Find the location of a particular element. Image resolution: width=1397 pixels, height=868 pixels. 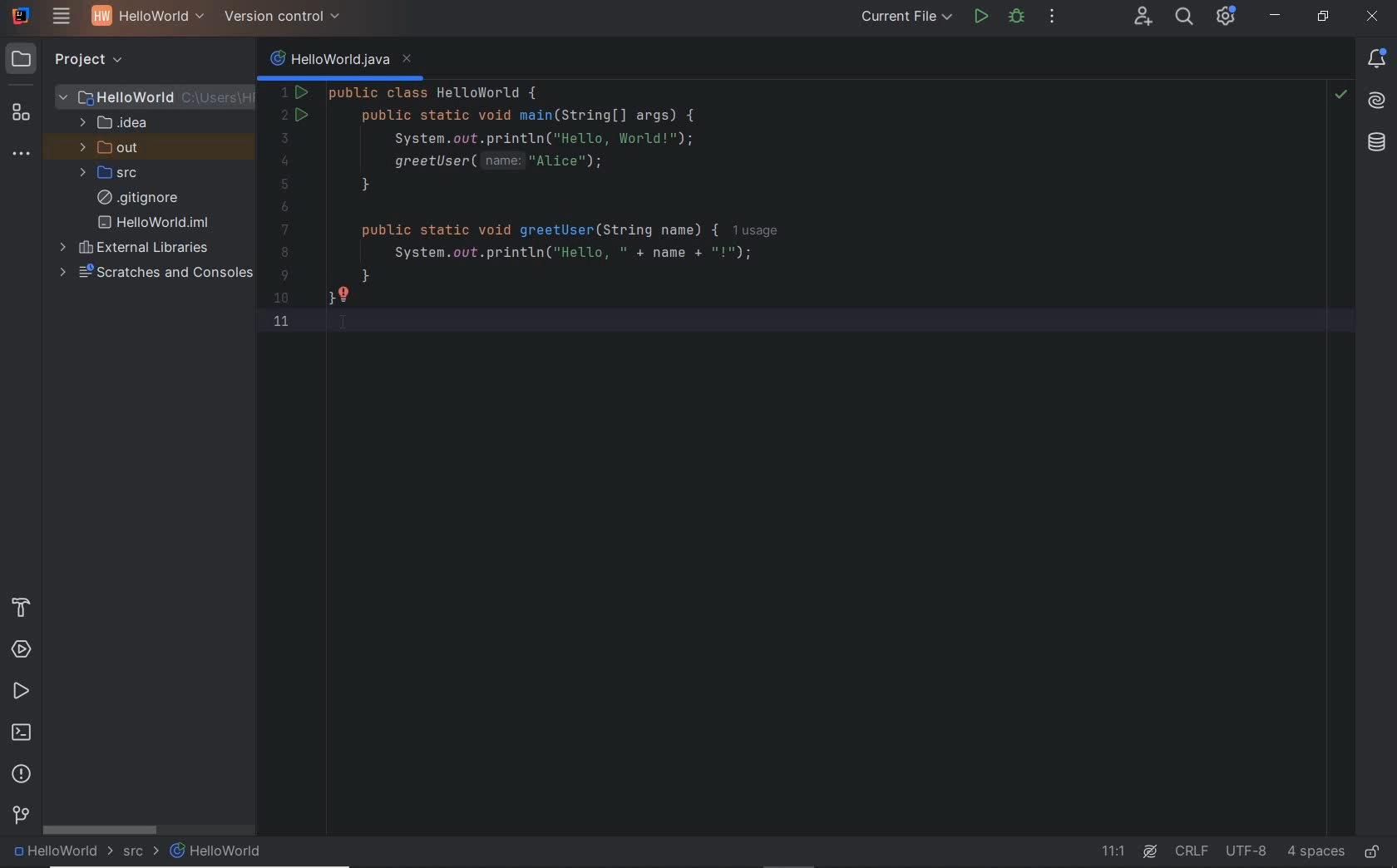

no highlighted problems is located at coordinates (1339, 95).